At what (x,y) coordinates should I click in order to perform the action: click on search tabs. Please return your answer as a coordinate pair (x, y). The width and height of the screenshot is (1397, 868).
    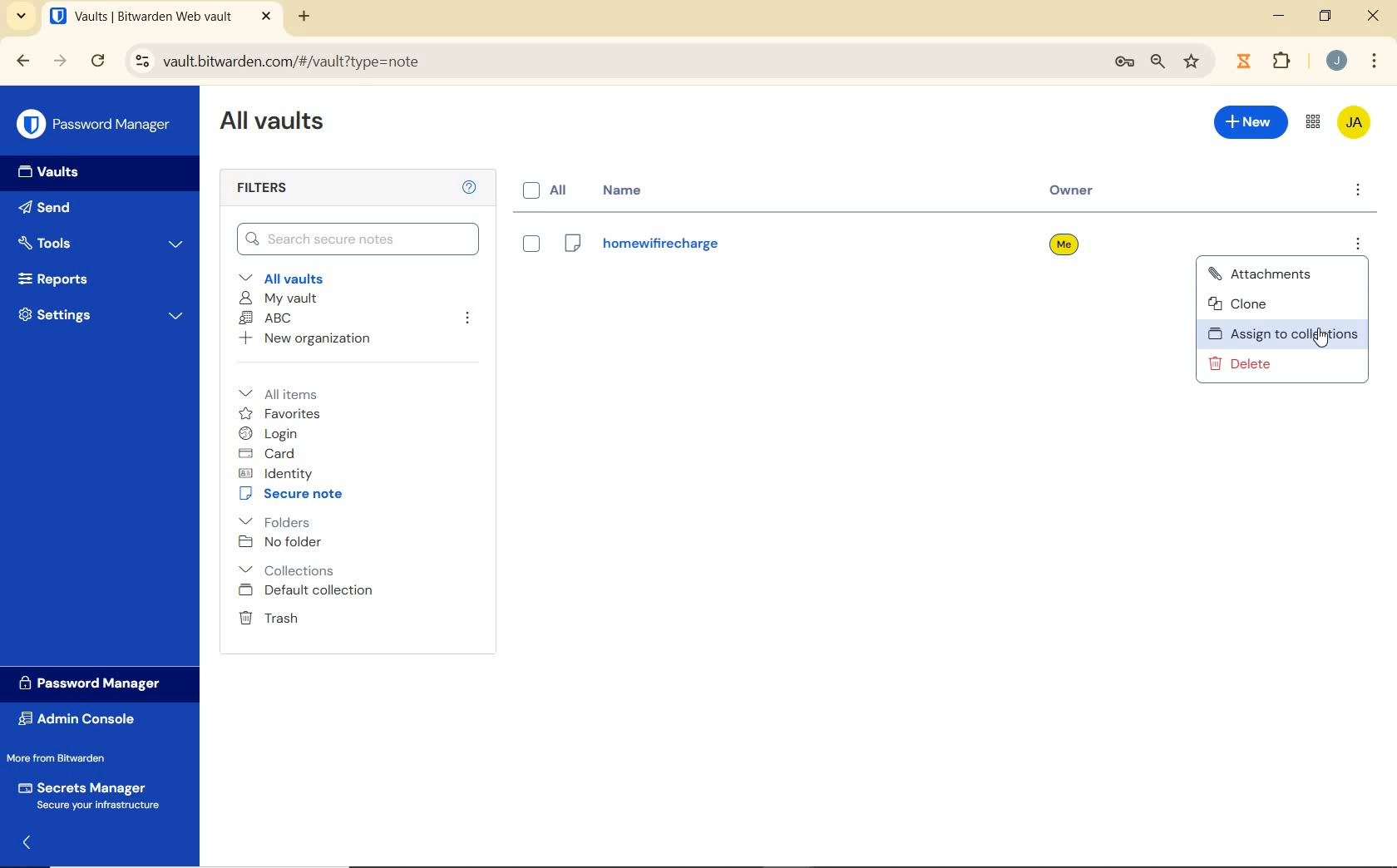
    Looking at the image, I should click on (23, 18).